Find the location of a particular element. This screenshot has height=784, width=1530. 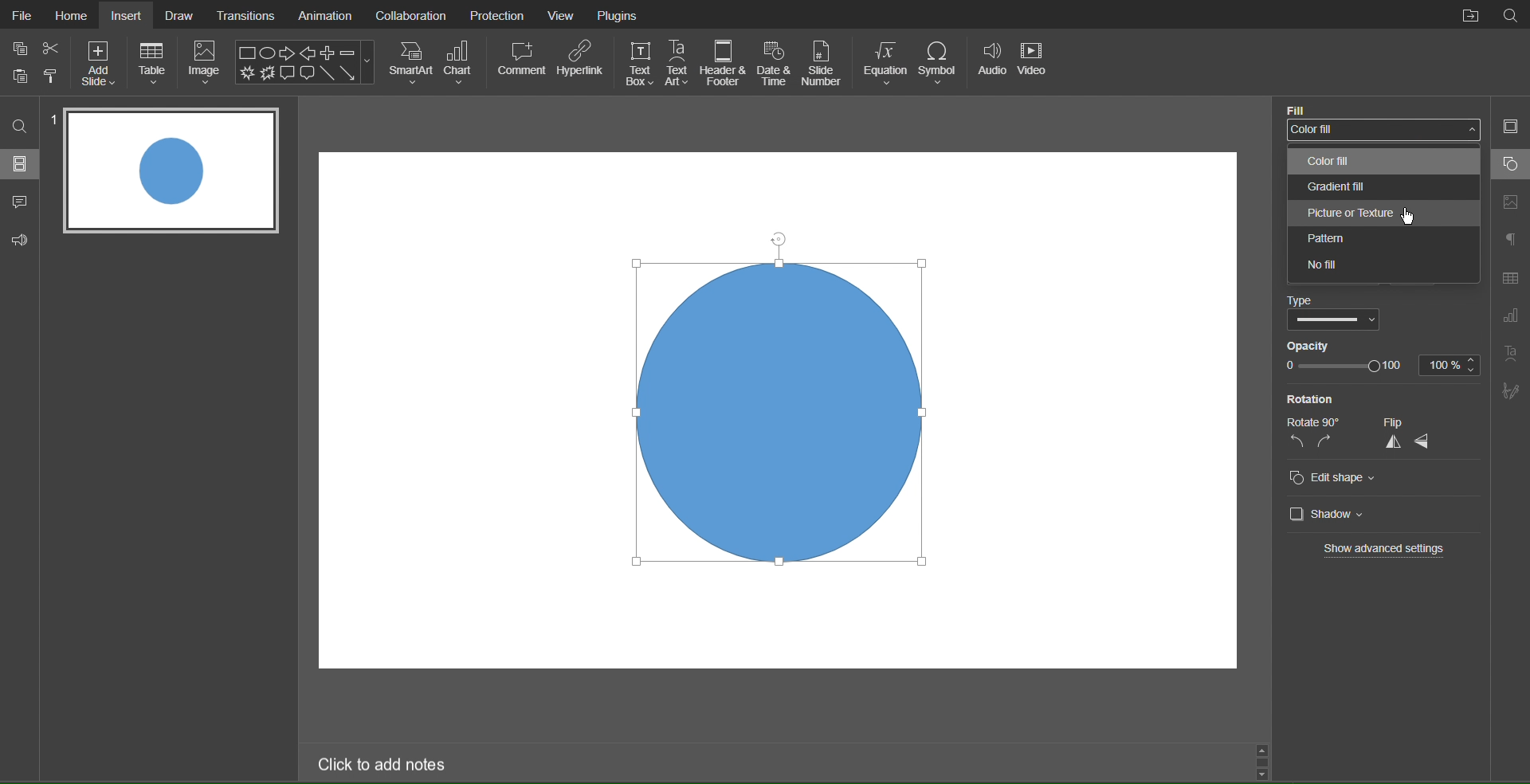

Shapes Menu is located at coordinates (304, 62).